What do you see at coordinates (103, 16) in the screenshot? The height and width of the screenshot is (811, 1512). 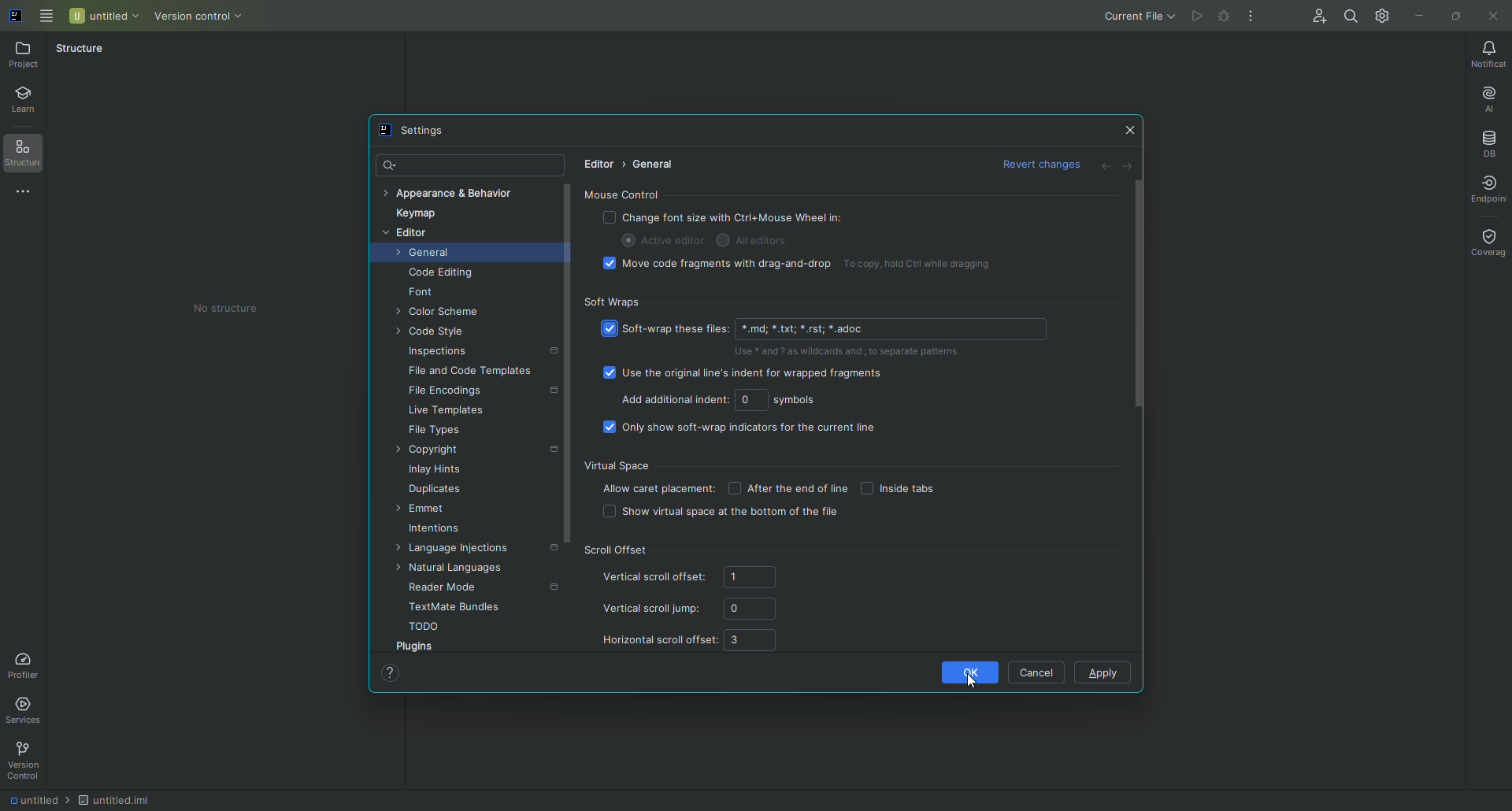 I see `Untitled` at bounding box center [103, 16].